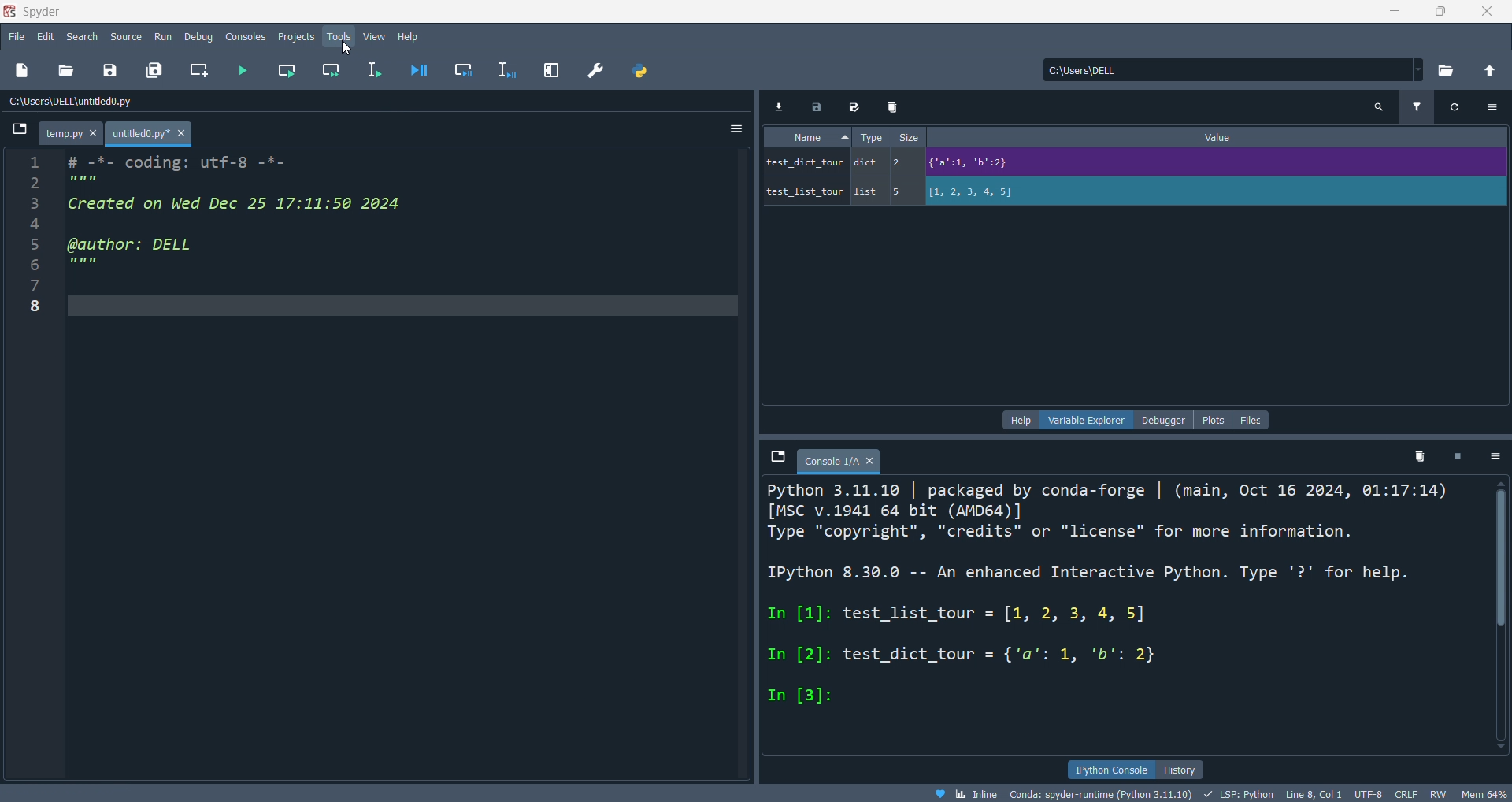  Describe the element at coordinates (820, 108) in the screenshot. I see `save` at that location.